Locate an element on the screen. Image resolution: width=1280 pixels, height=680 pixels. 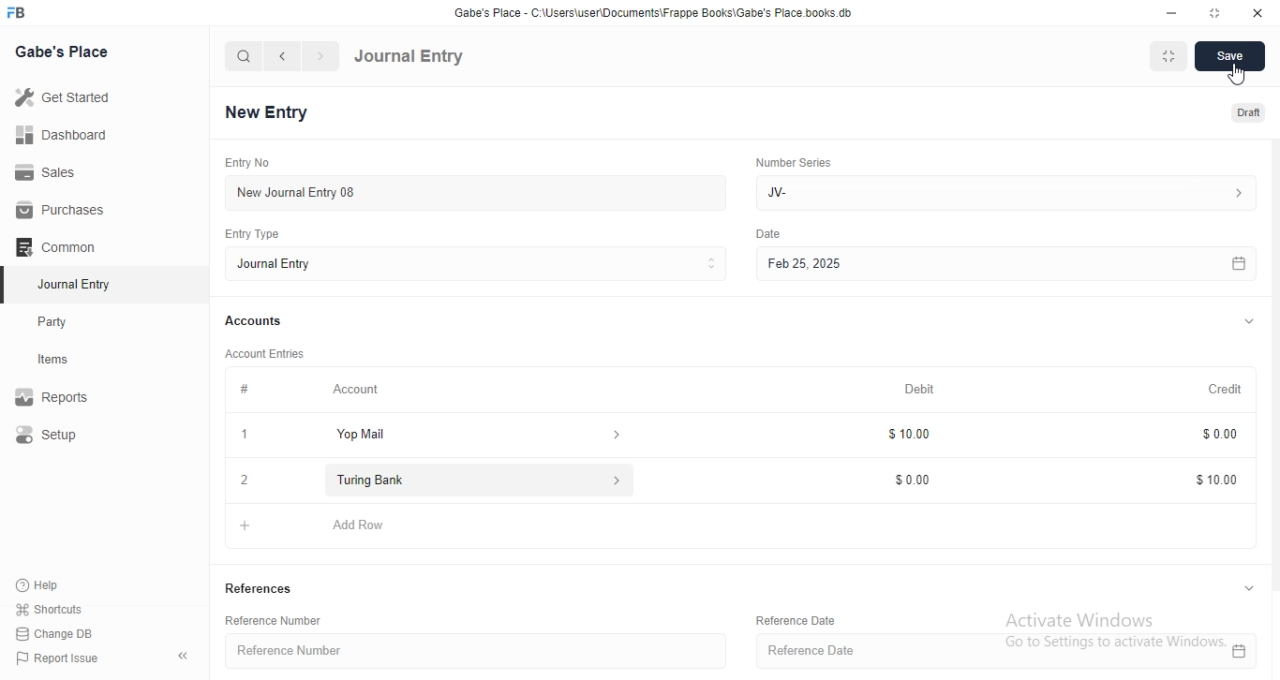
$10.00 is located at coordinates (911, 435).